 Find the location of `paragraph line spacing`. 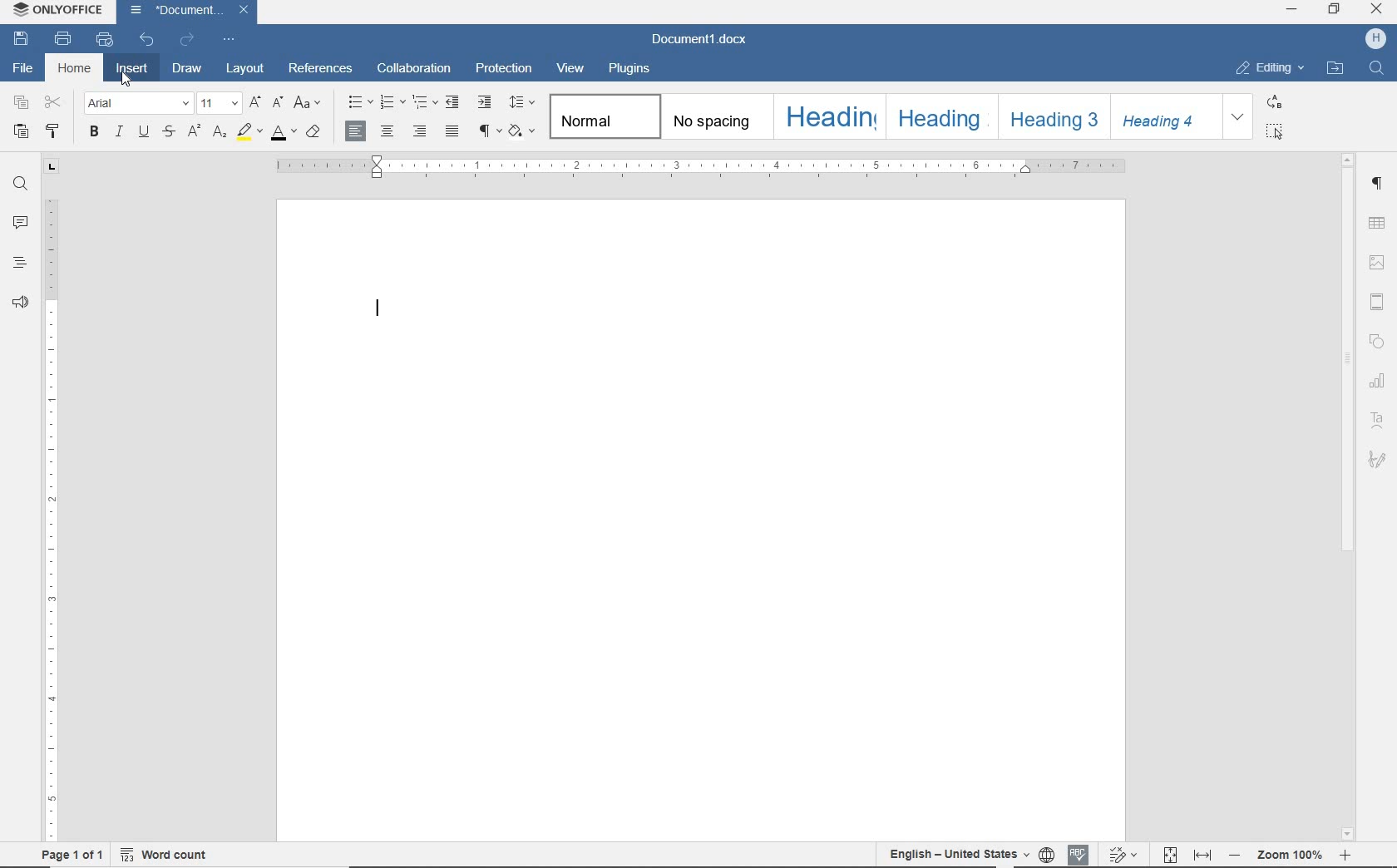

paragraph line spacing is located at coordinates (522, 102).